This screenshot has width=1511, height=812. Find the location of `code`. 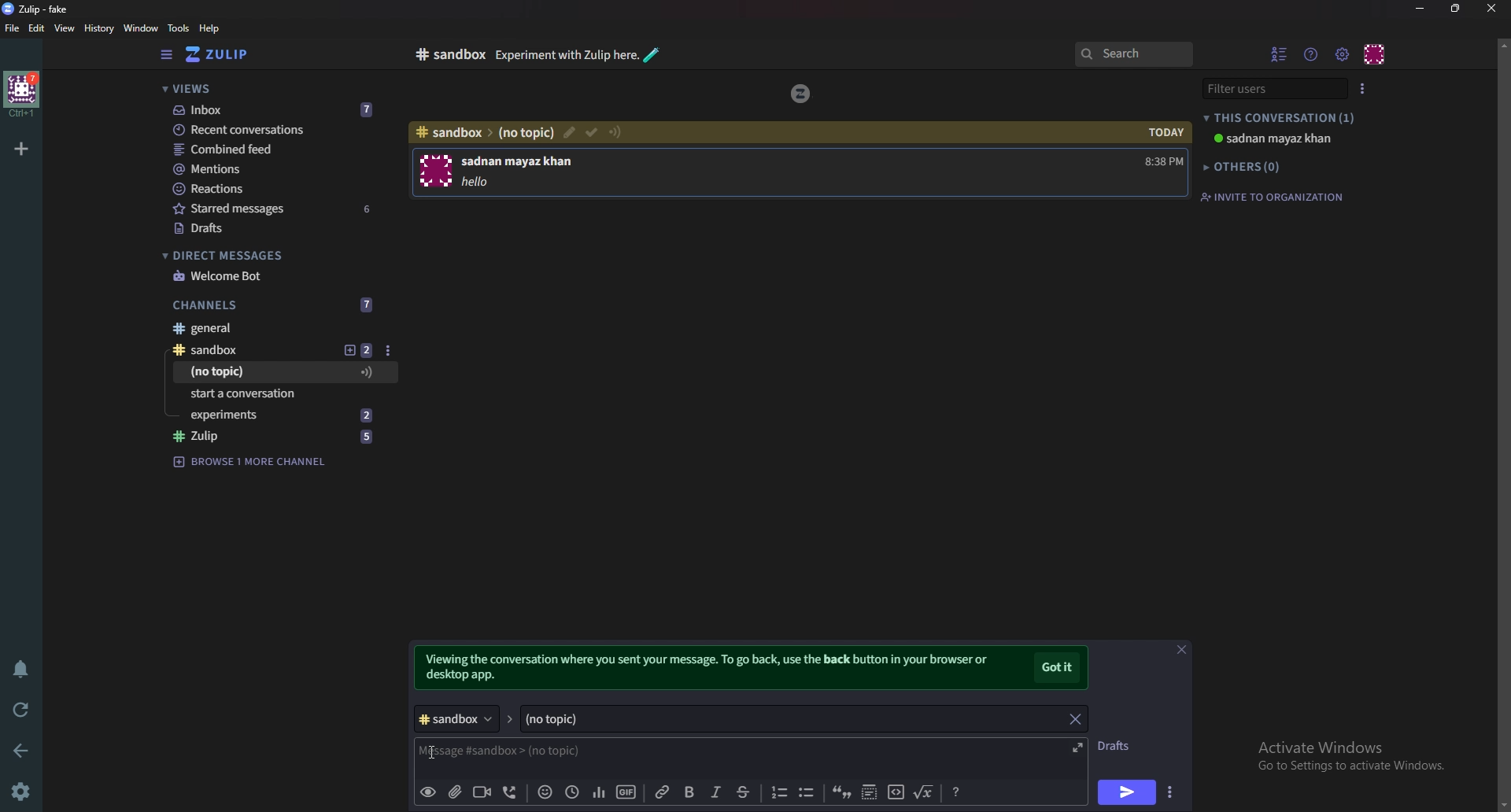

code is located at coordinates (895, 793).